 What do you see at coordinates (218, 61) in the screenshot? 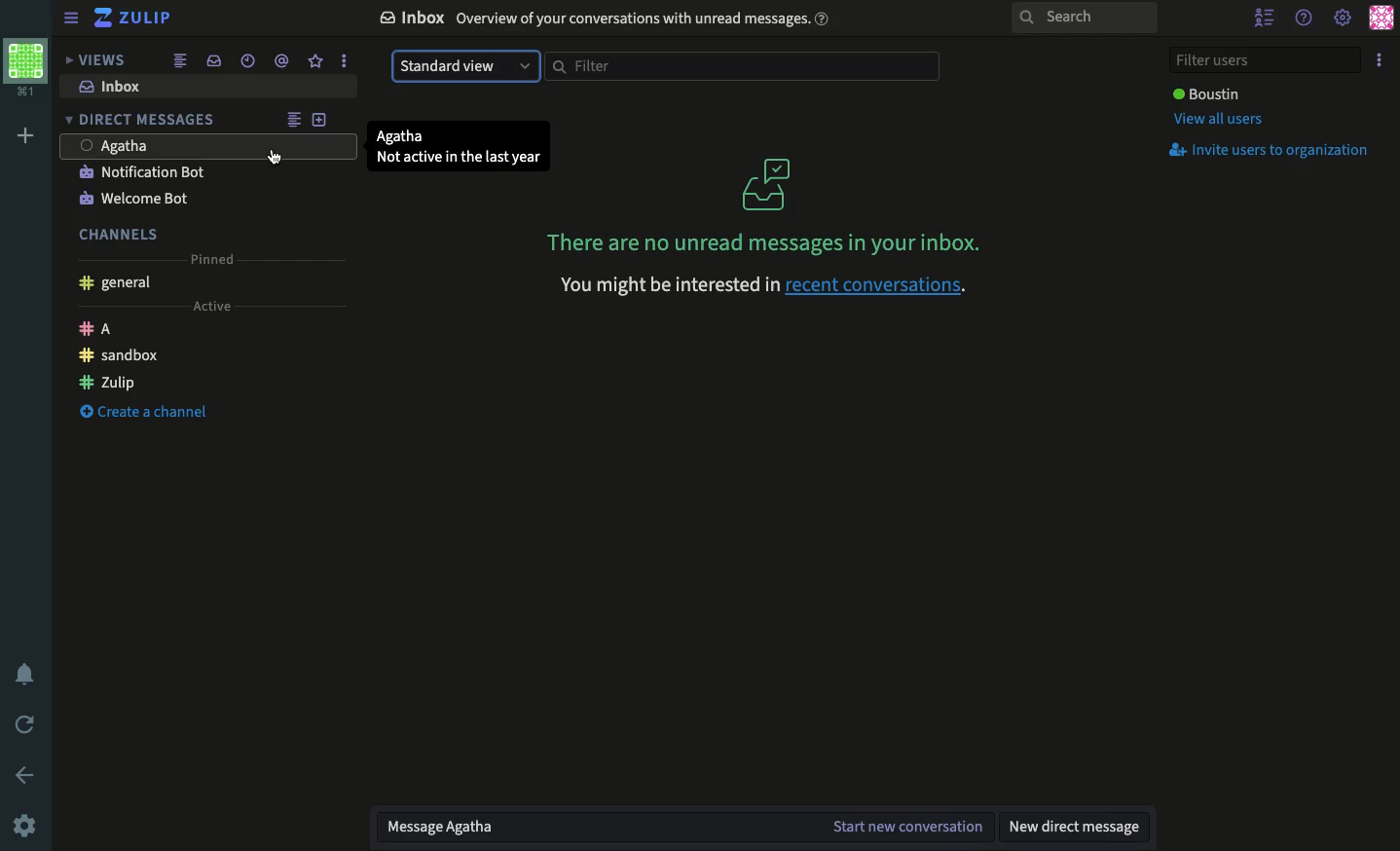
I see `Inbox` at bounding box center [218, 61].